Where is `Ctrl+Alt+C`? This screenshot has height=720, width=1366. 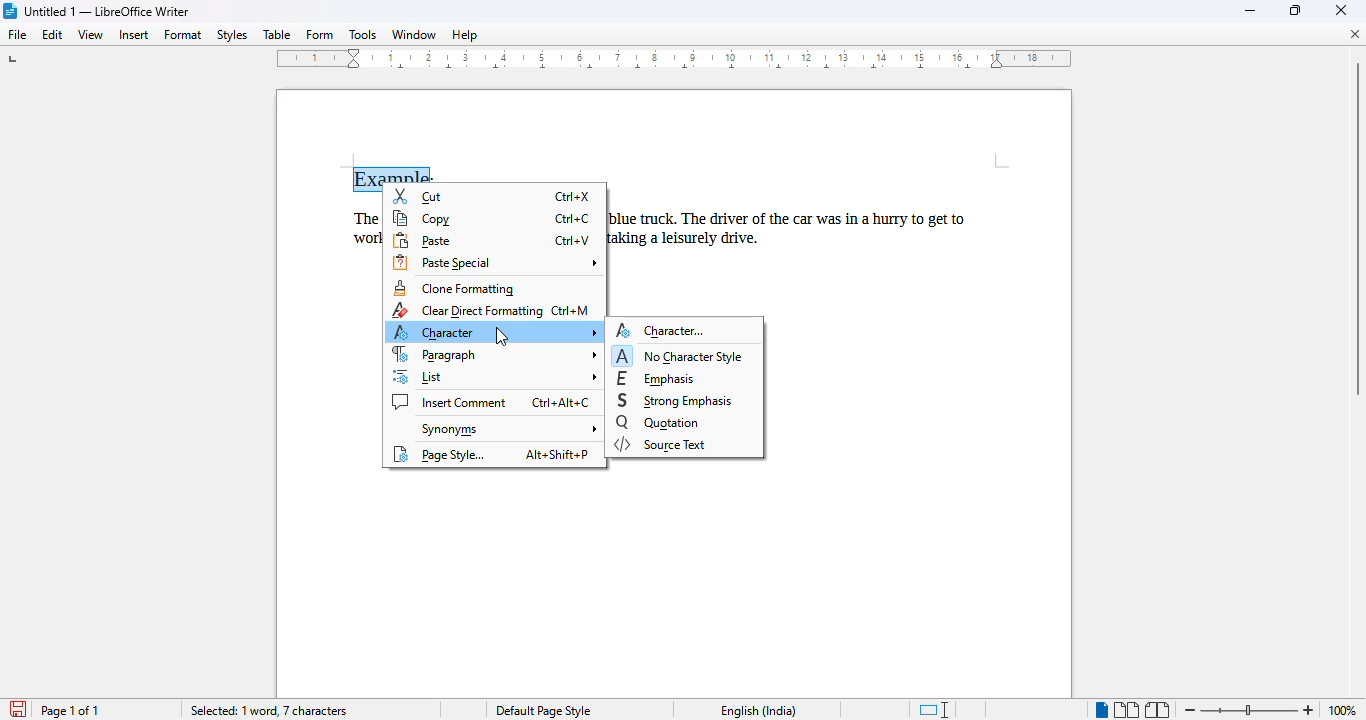 Ctrl+Alt+C is located at coordinates (560, 402).